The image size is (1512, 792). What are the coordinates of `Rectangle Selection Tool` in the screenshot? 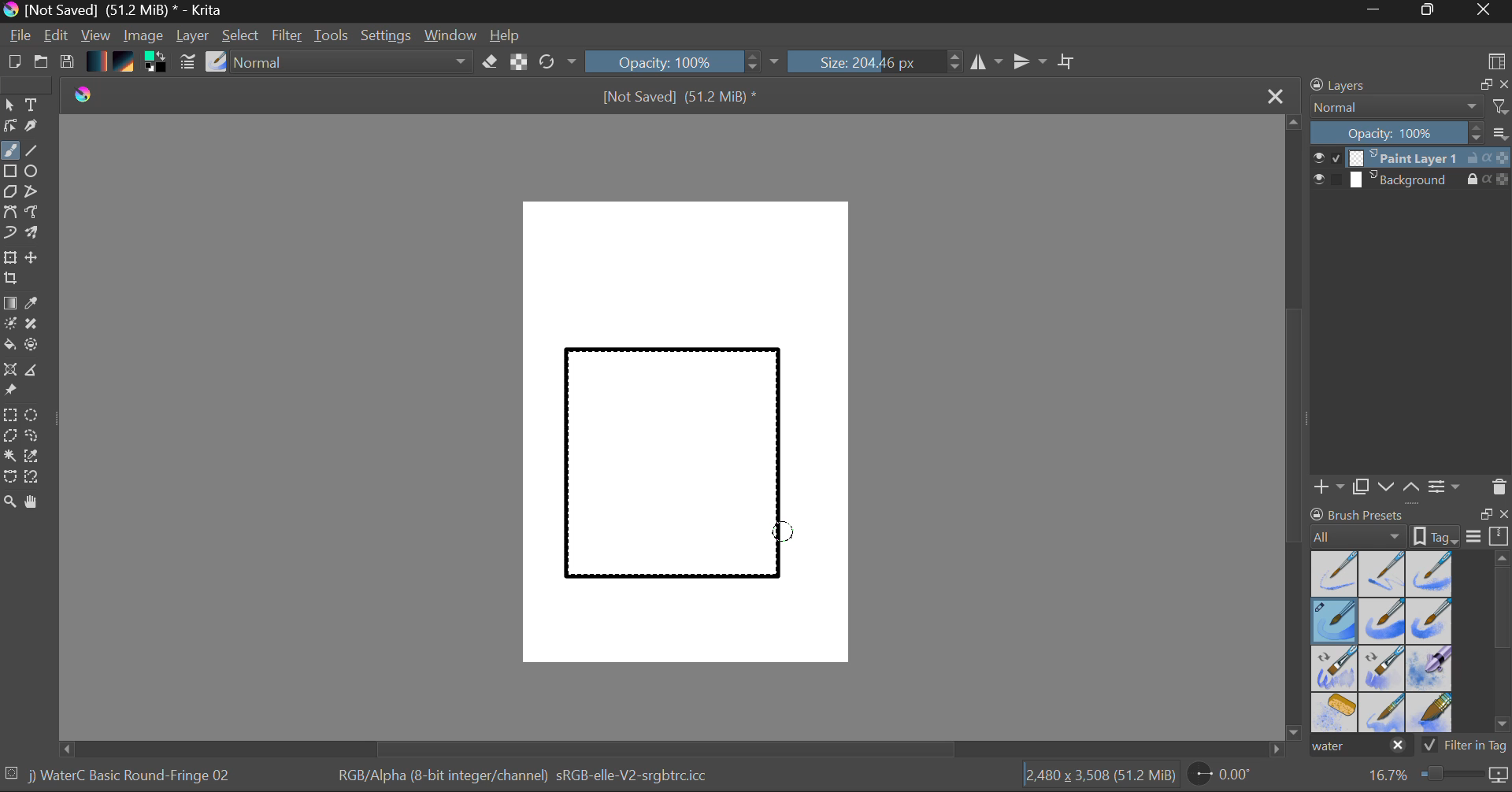 It's located at (9, 417).